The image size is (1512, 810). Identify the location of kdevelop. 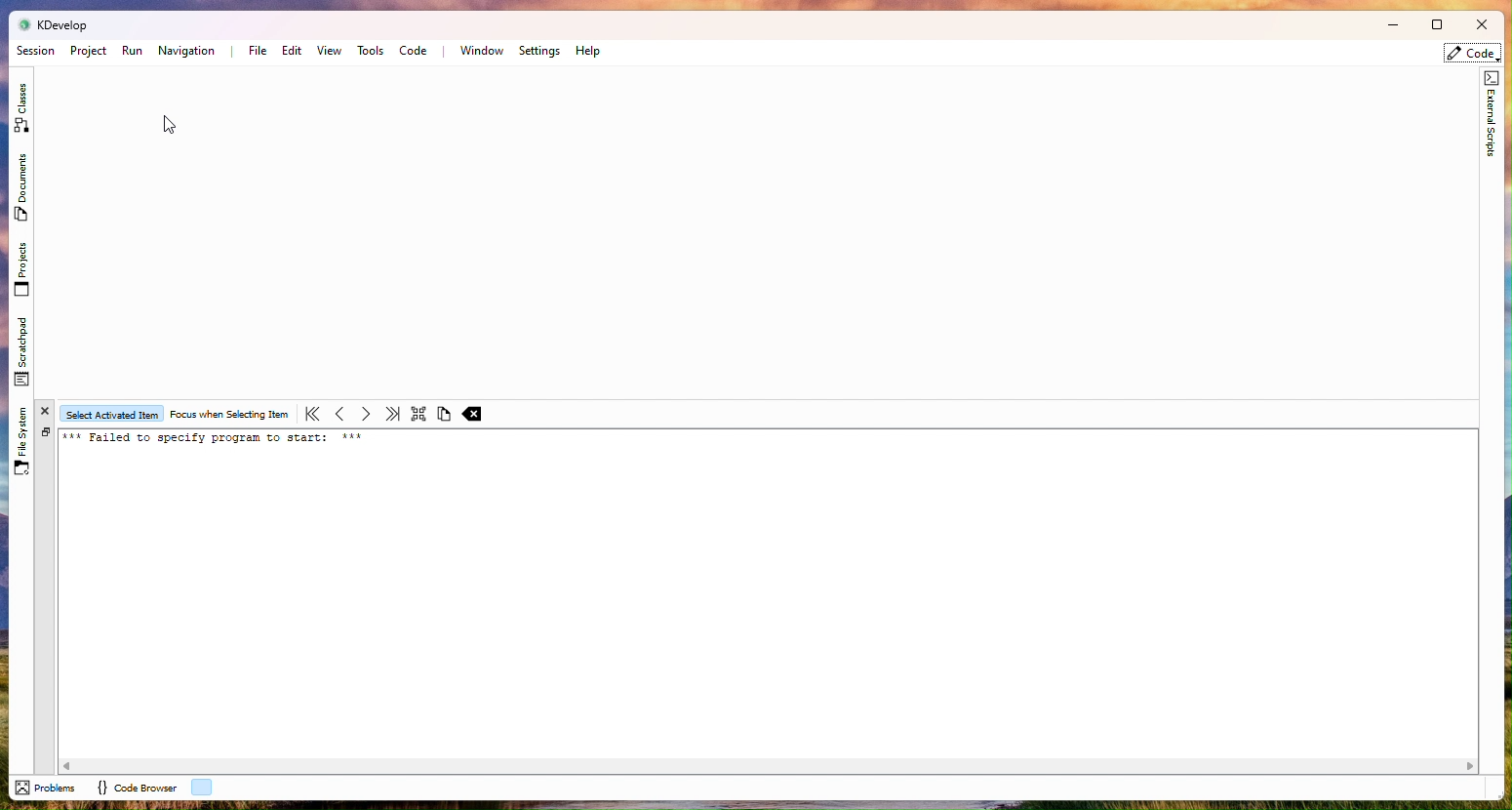
(63, 24).